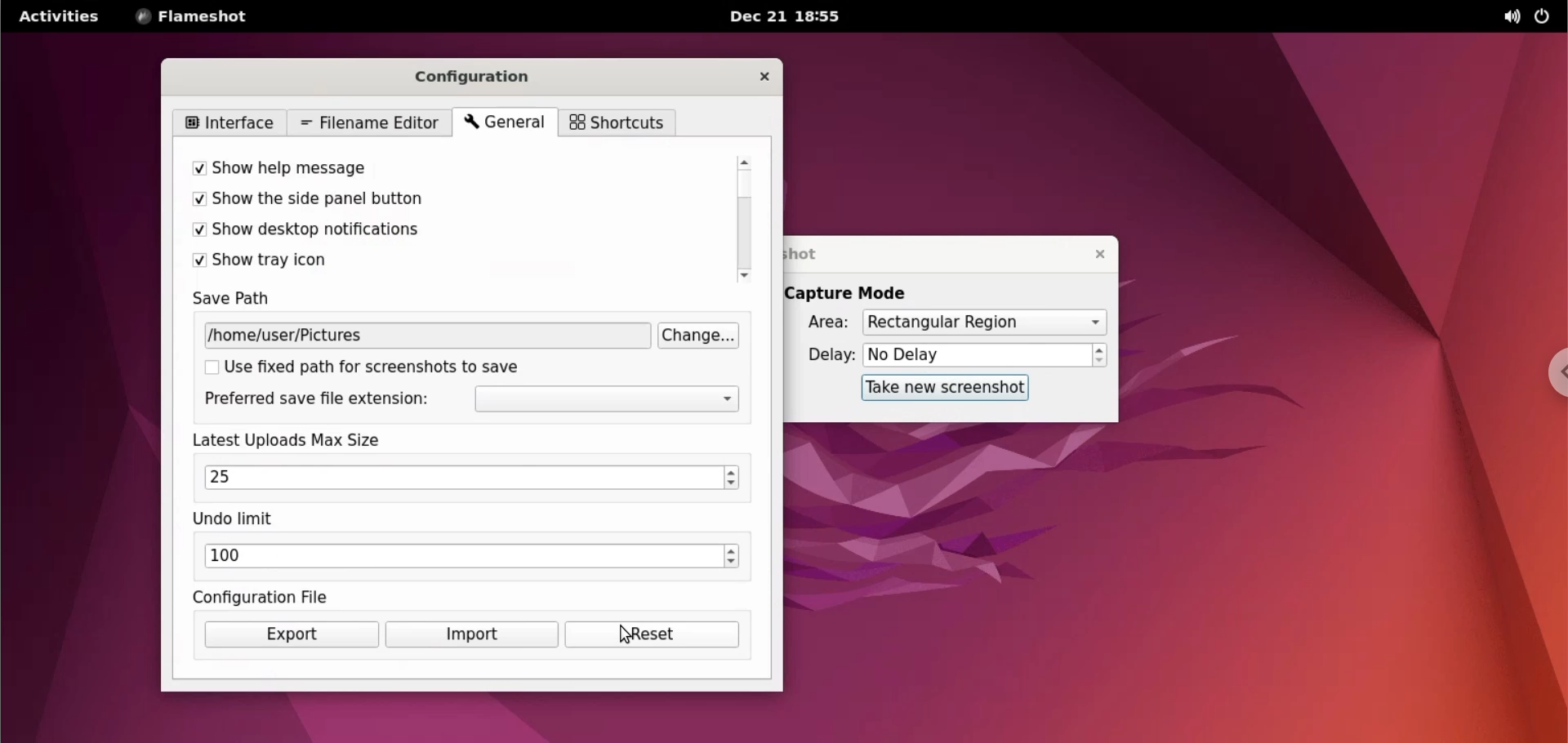 This screenshot has width=1568, height=743. What do you see at coordinates (464, 556) in the screenshot?
I see `100` at bounding box center [464, 556].